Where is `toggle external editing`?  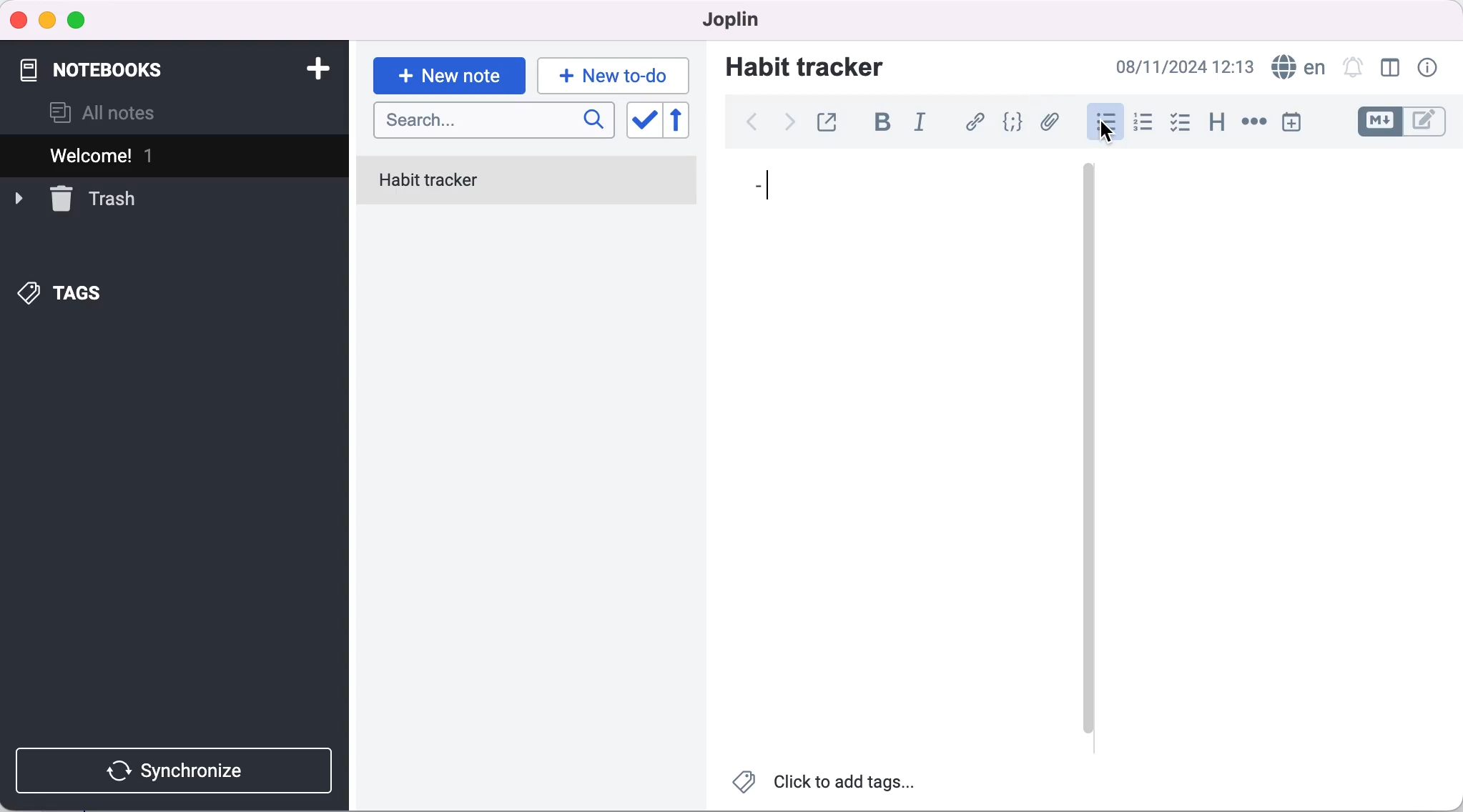 toggle external editing is located at coordinates (831, 120).